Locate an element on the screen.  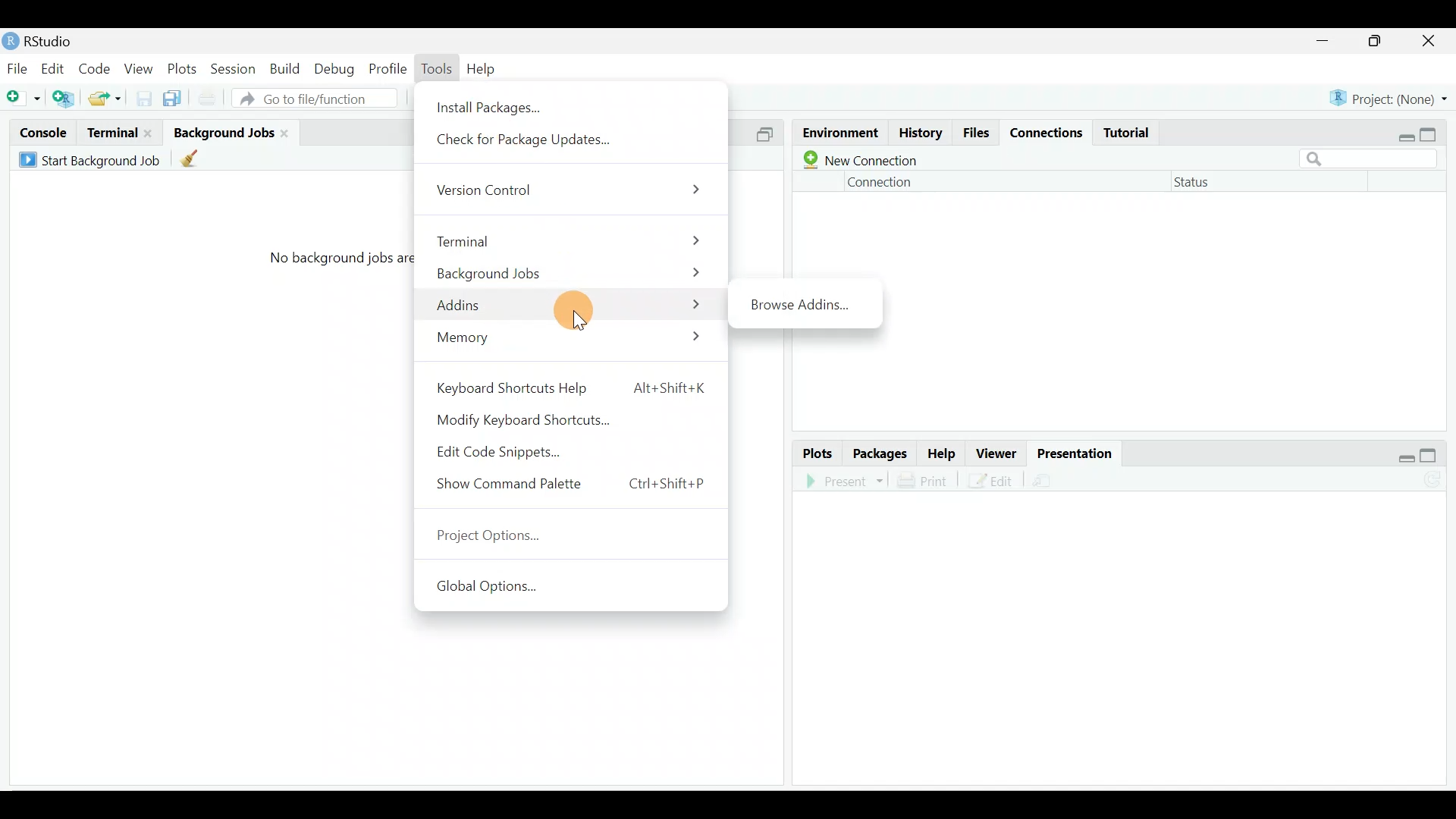
Connections is located at coordinates (1047, 133).